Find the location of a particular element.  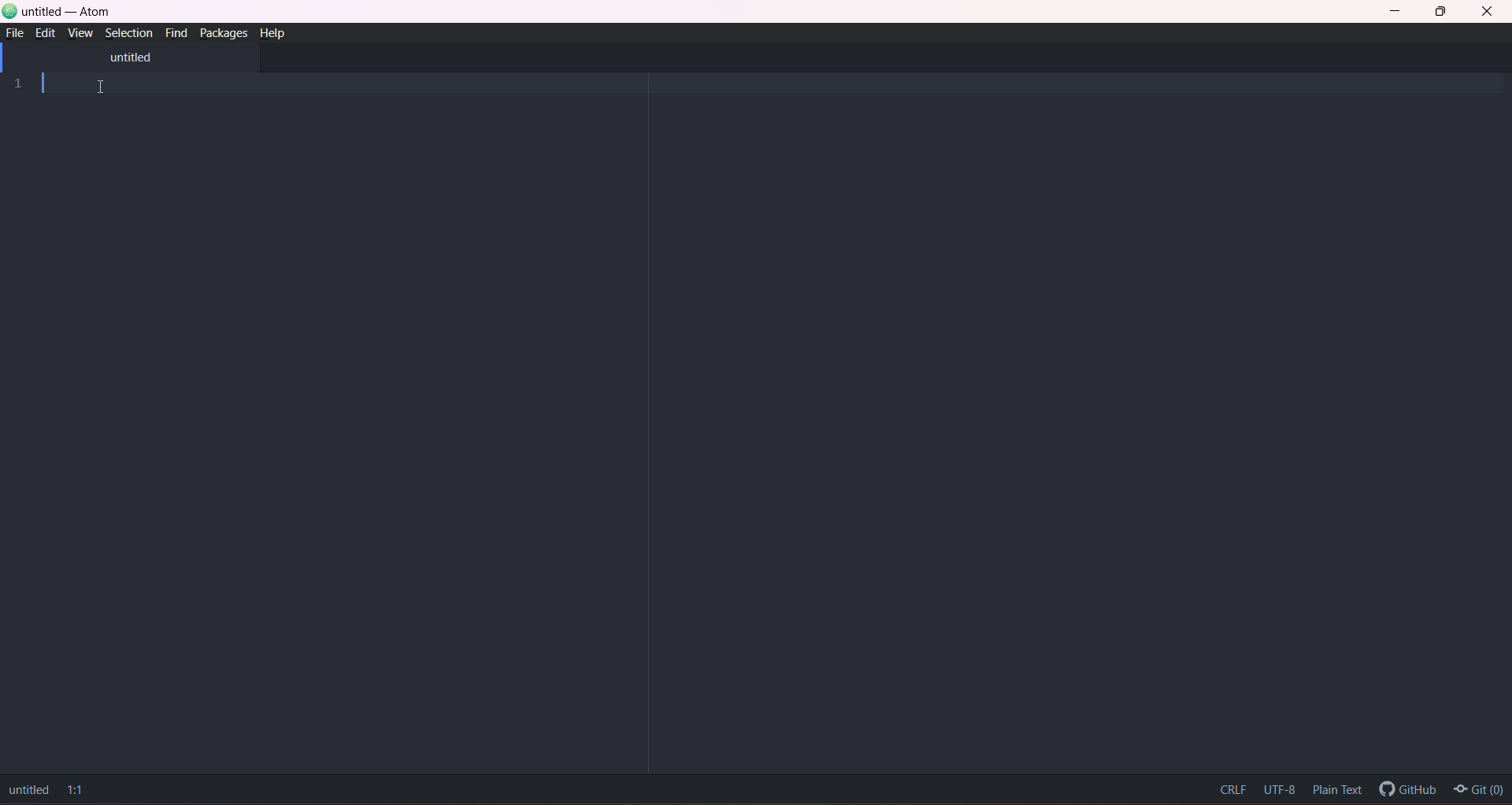

Packages is located at coordinates (224, 33).